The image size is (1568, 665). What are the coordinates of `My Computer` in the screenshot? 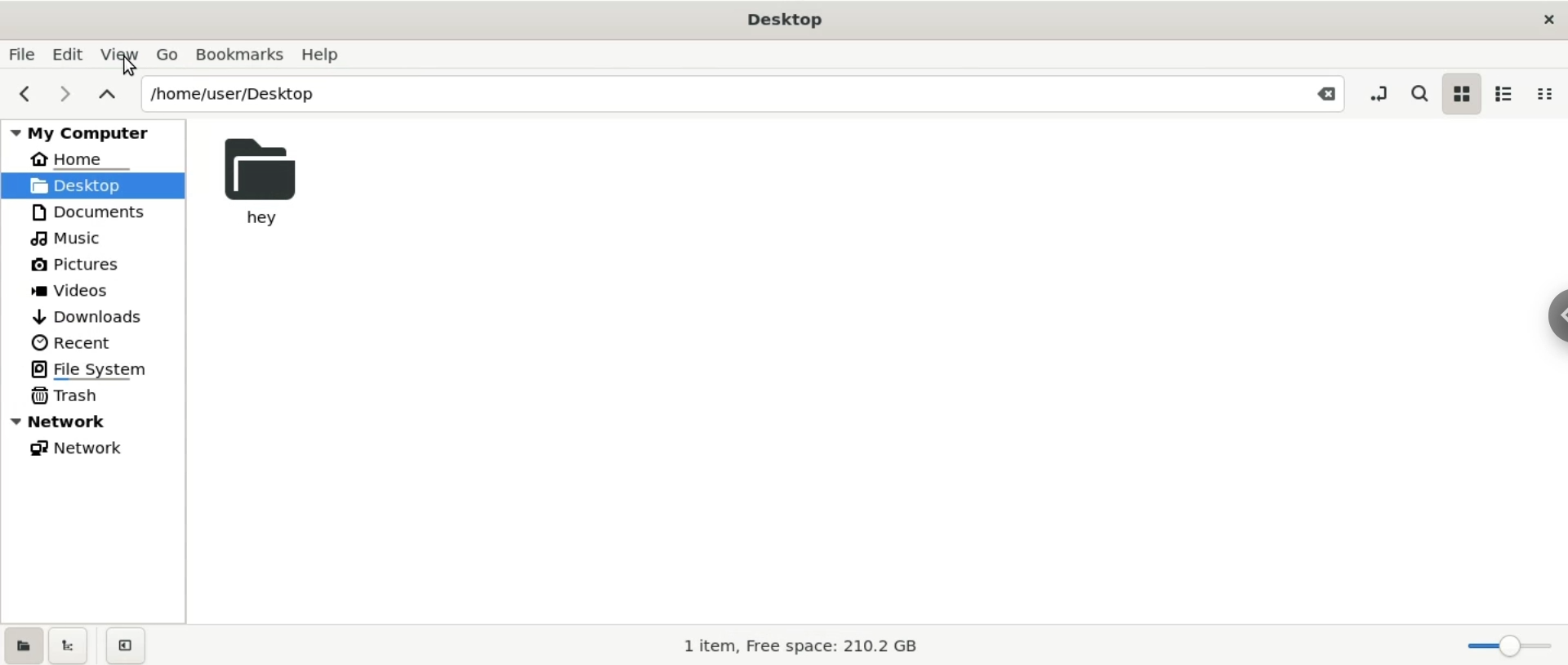 It's located at (98, 132).